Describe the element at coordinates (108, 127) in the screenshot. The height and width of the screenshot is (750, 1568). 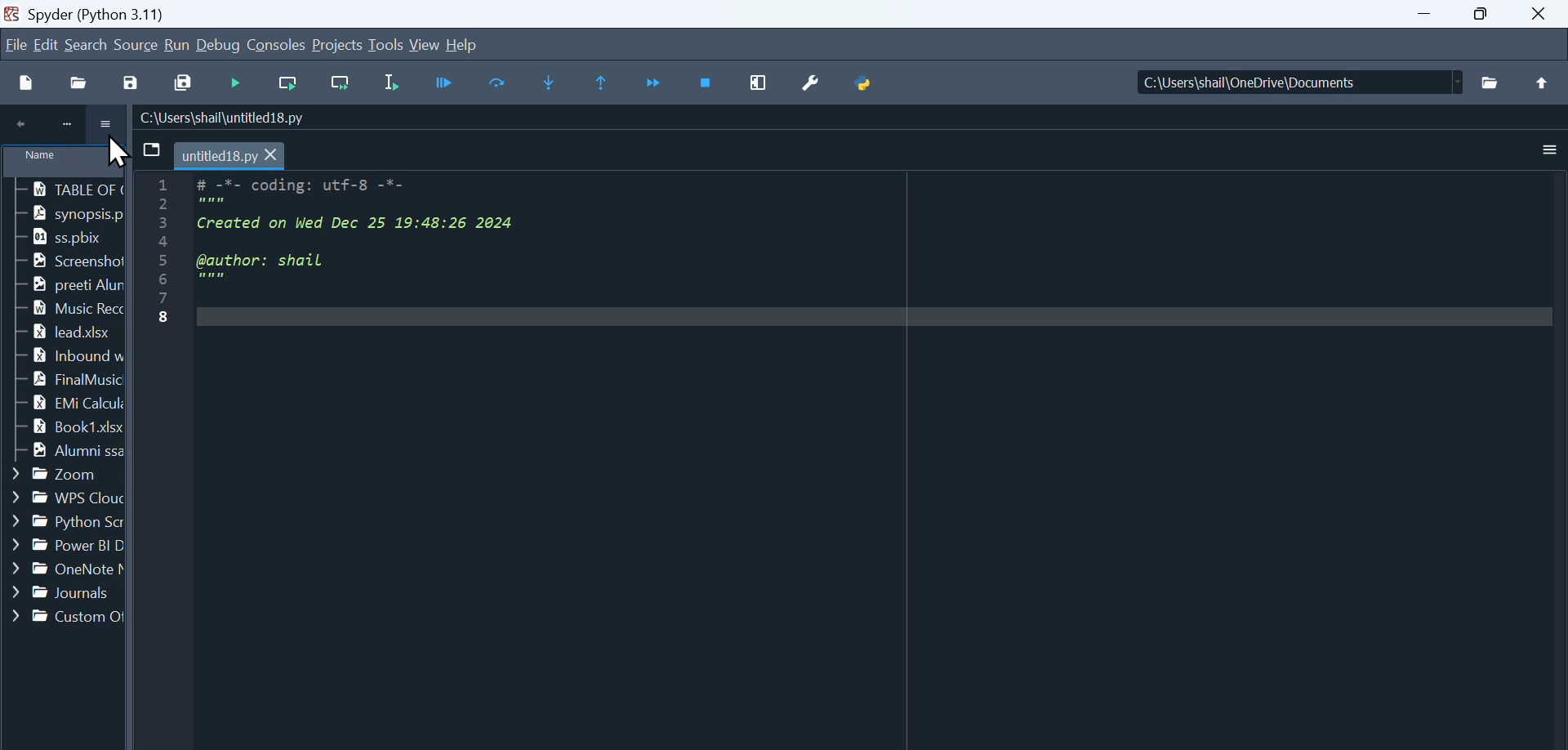
I see `more options` at that location.